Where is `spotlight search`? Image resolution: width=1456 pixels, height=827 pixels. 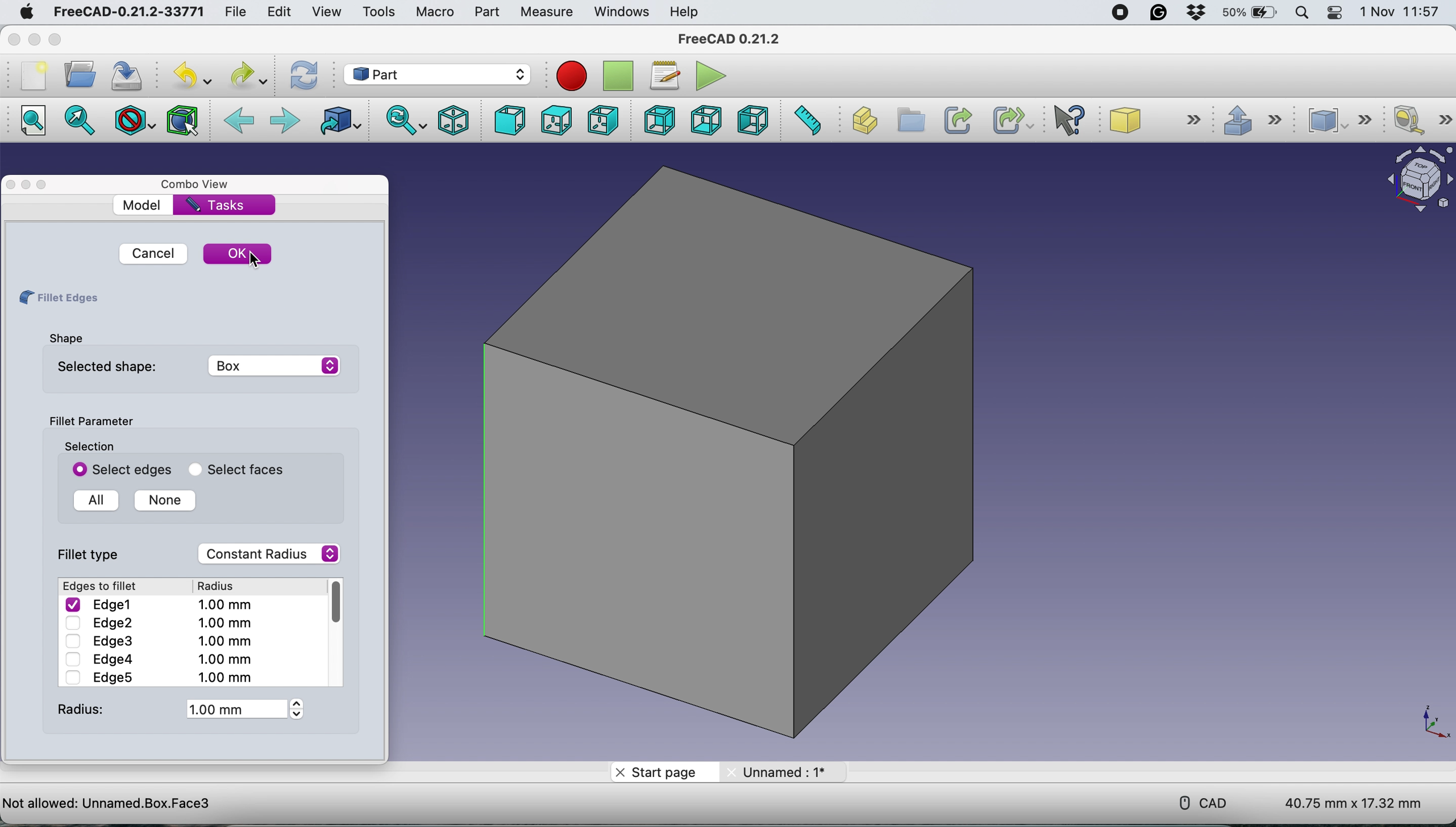 spotlight search is located at coordinates (1301, 14).